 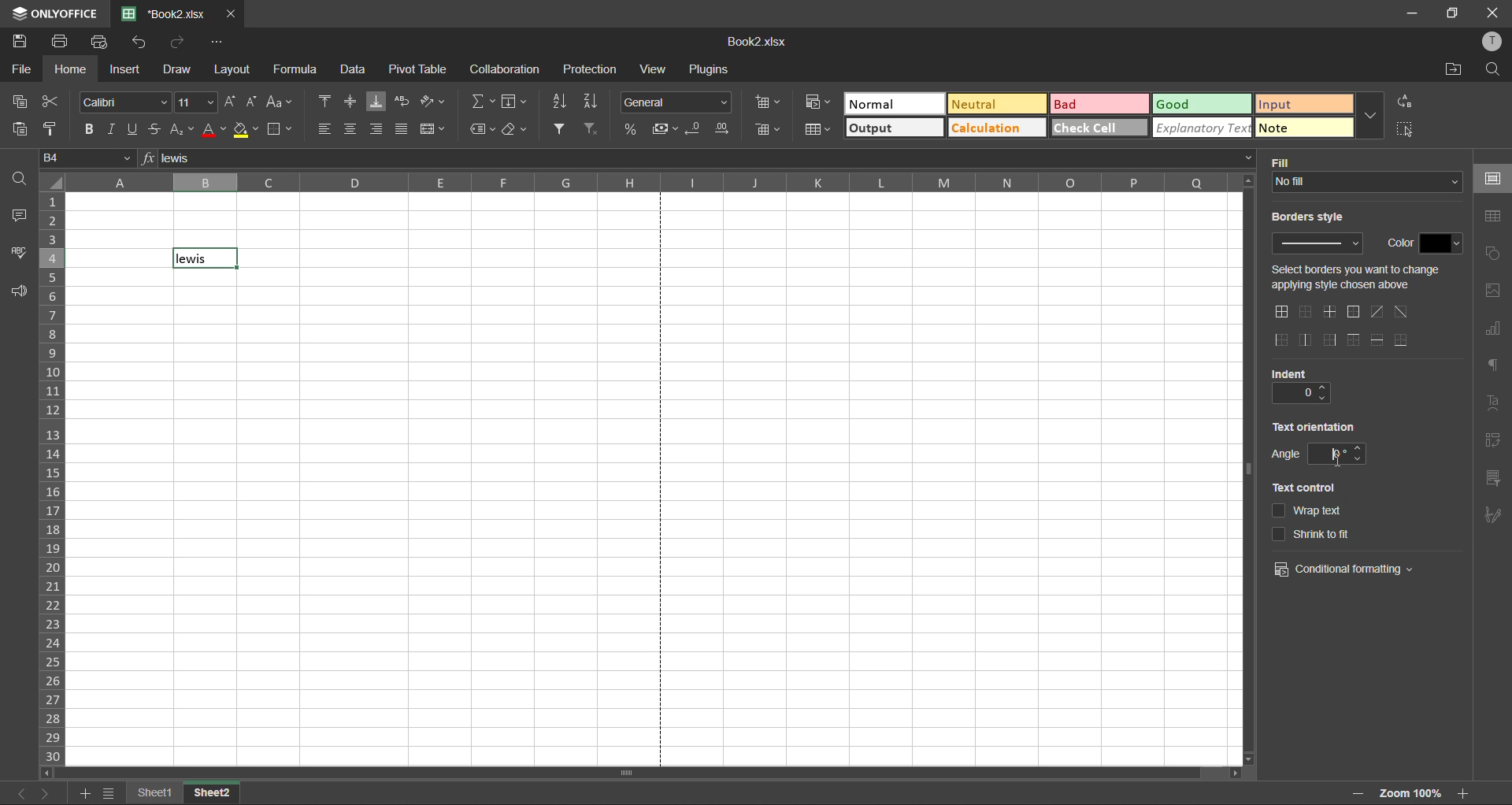 I want to click on justified, so click(x=404, y=131).